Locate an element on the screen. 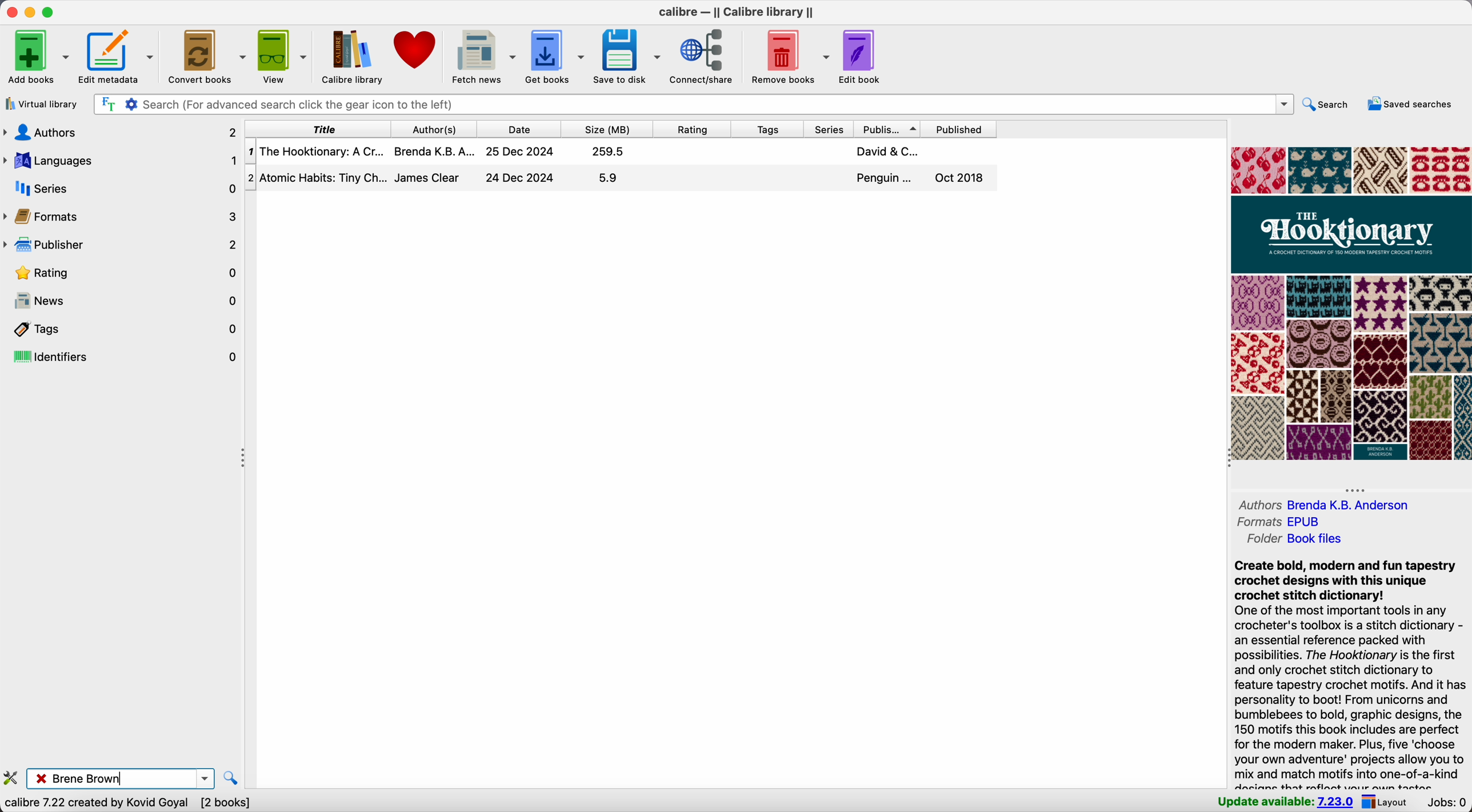  book cover preview is located at coordinates (1350, 301).